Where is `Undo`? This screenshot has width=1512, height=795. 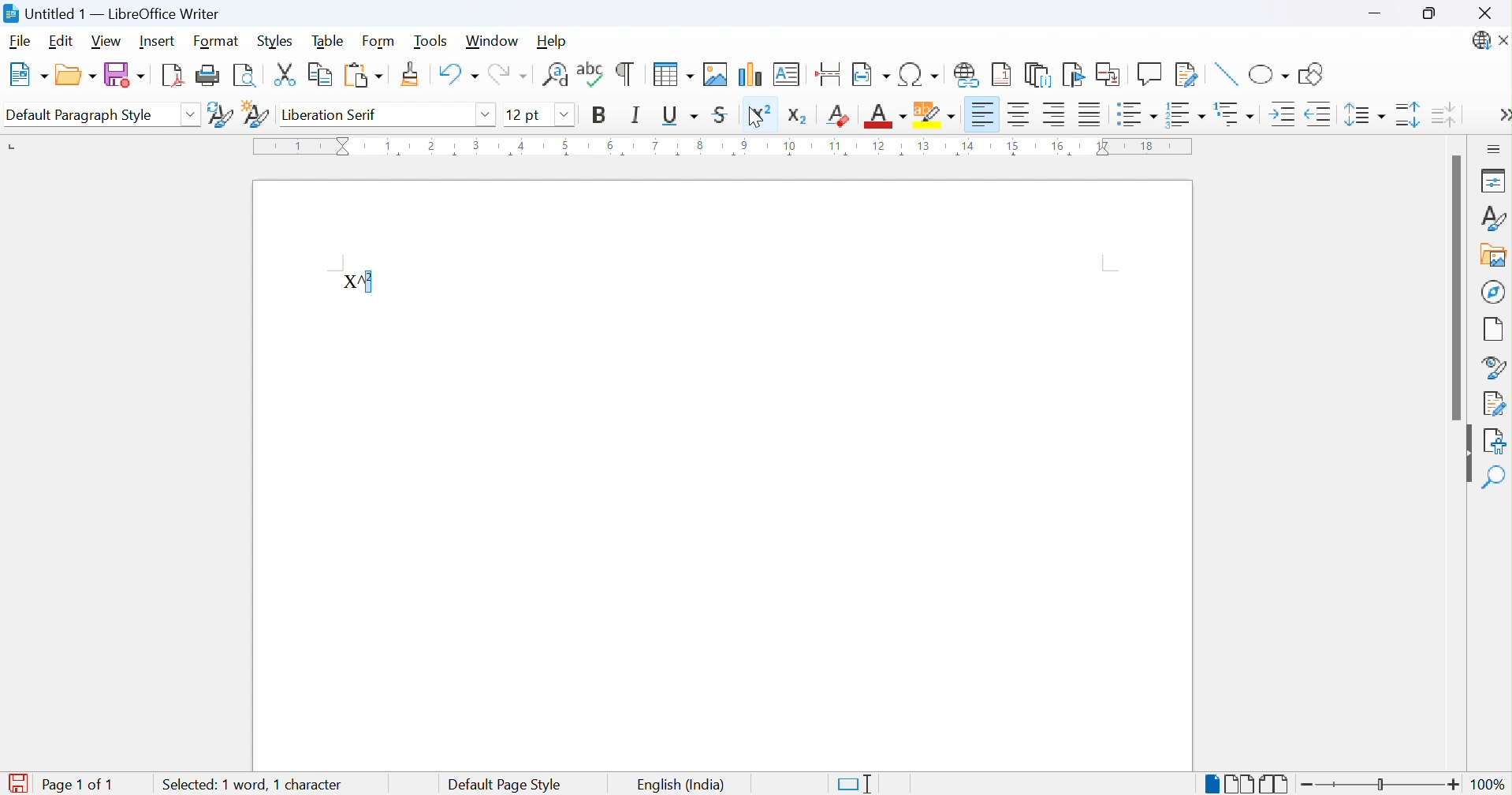
Undo is located at coordinates (456, 74).